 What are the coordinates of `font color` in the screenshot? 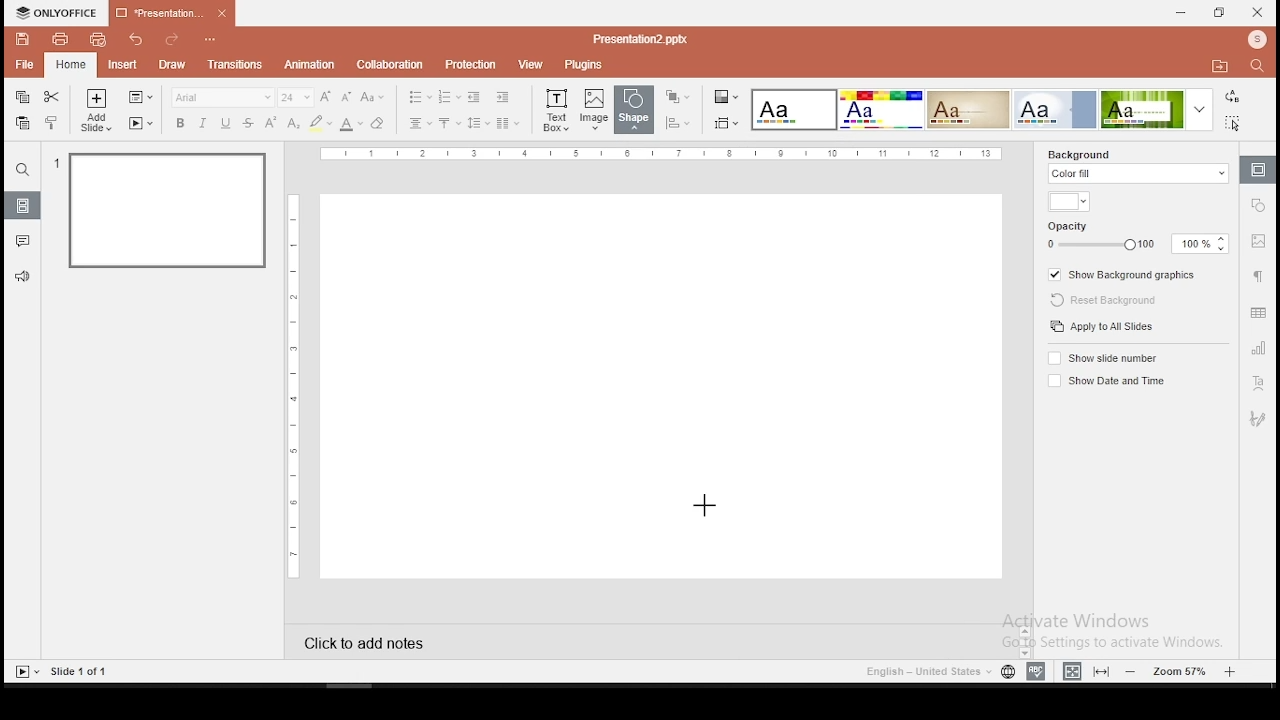 It's located at (351, 124).